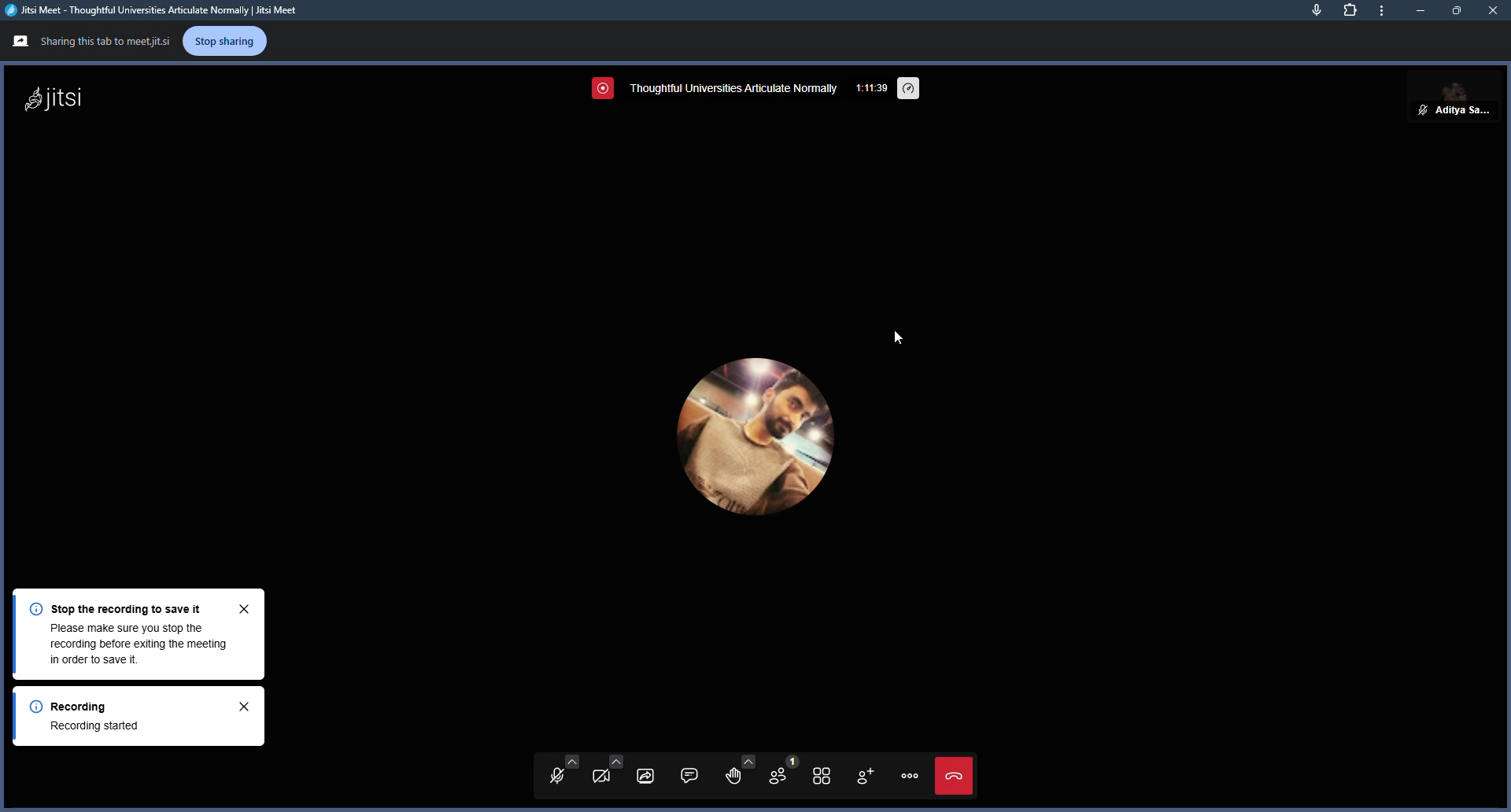 The width and height of the screenshot is (1511, 812). Describe the element at coordinates (249, 613) in the screenshot. I see `close` at that location.